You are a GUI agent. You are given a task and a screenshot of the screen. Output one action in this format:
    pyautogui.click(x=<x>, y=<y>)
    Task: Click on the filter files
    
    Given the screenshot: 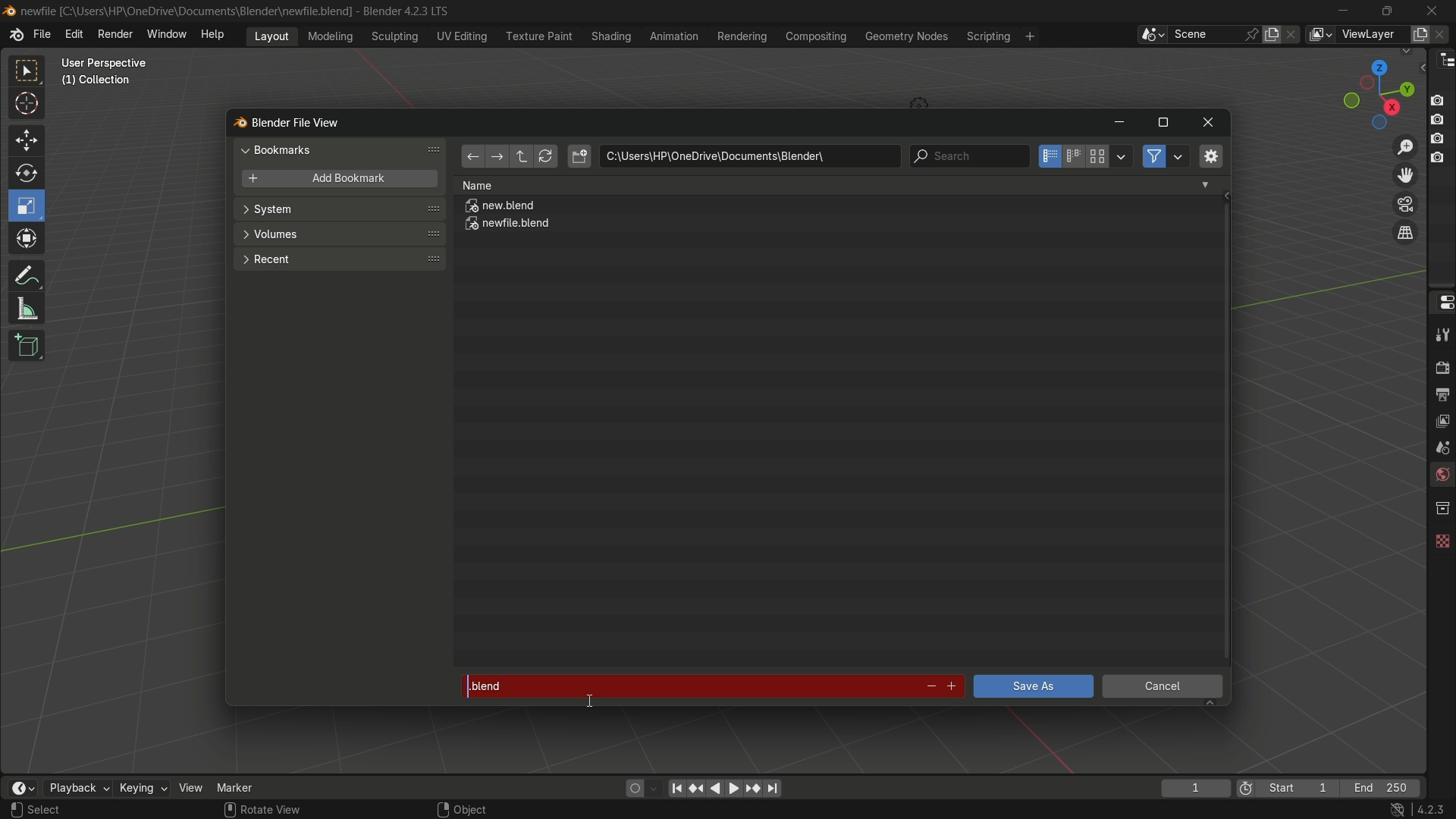 What is the action you would take?
    pyautogui.click(x=1153, y=156)
    